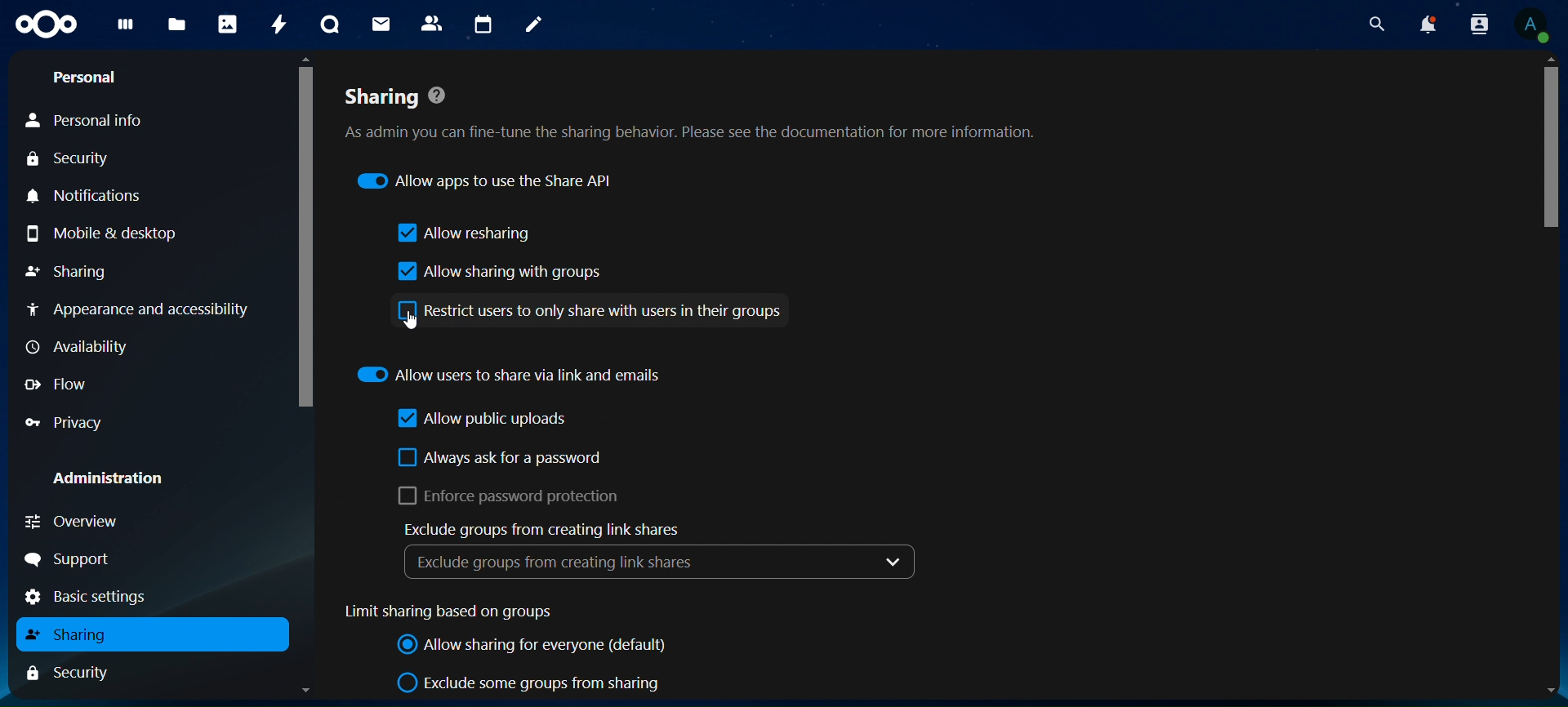  What do you see at coordinates (46, 25) in the screenshot?
I see `icon` at bounding box center [46, 25].